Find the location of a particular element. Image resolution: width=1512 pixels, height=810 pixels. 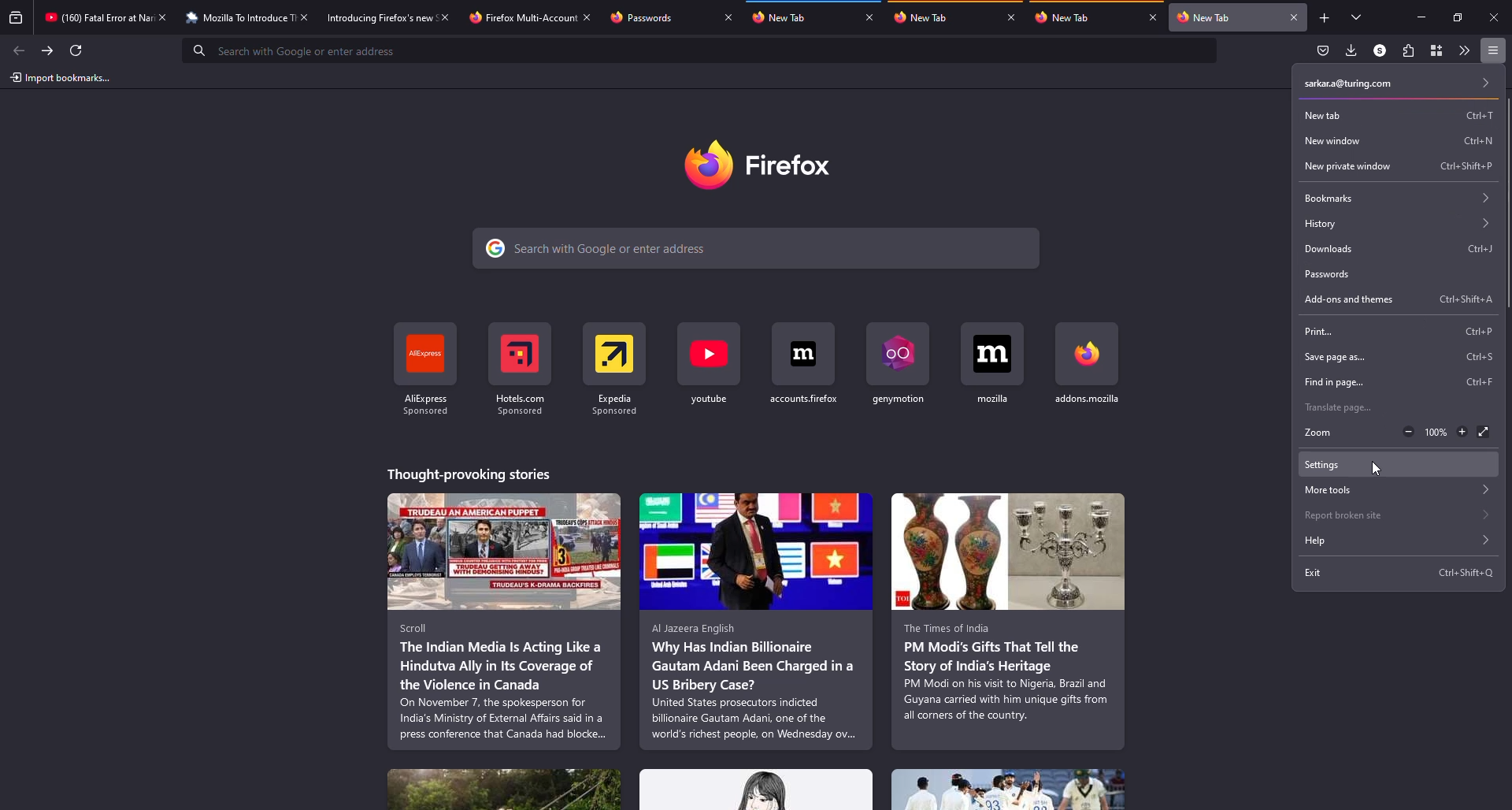

view tab is located at coordinates (1358, 17).